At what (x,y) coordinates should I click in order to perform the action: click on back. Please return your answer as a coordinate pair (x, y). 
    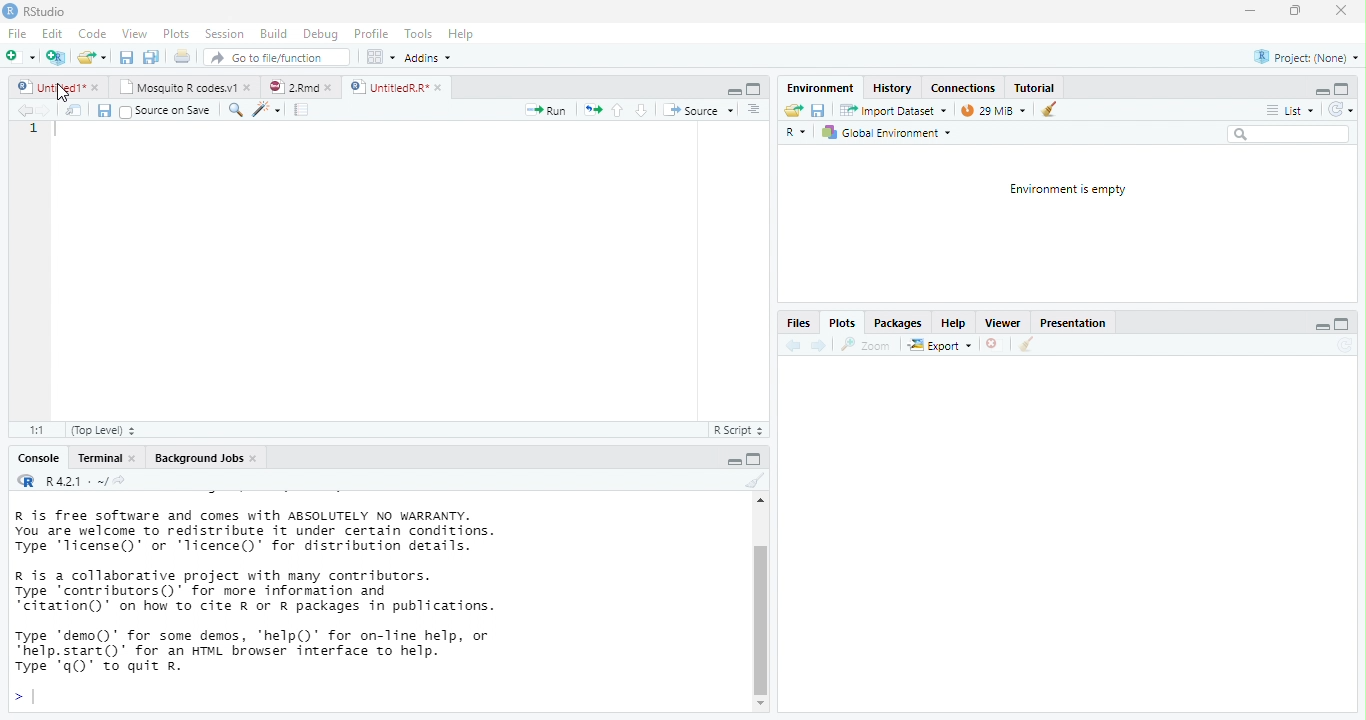
    Looking at the image, I should click on (791, 345).